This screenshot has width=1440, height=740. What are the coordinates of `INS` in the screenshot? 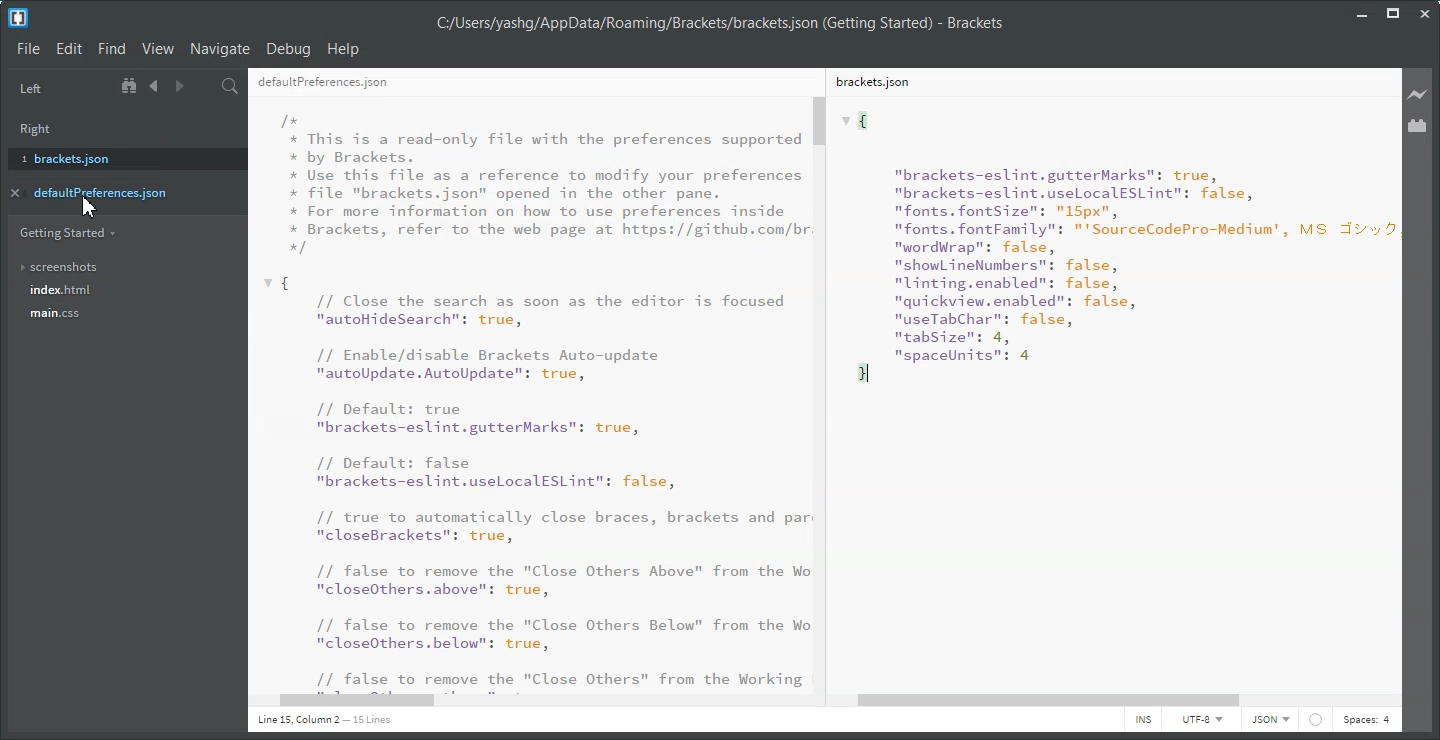 It's located at (1143, 721).